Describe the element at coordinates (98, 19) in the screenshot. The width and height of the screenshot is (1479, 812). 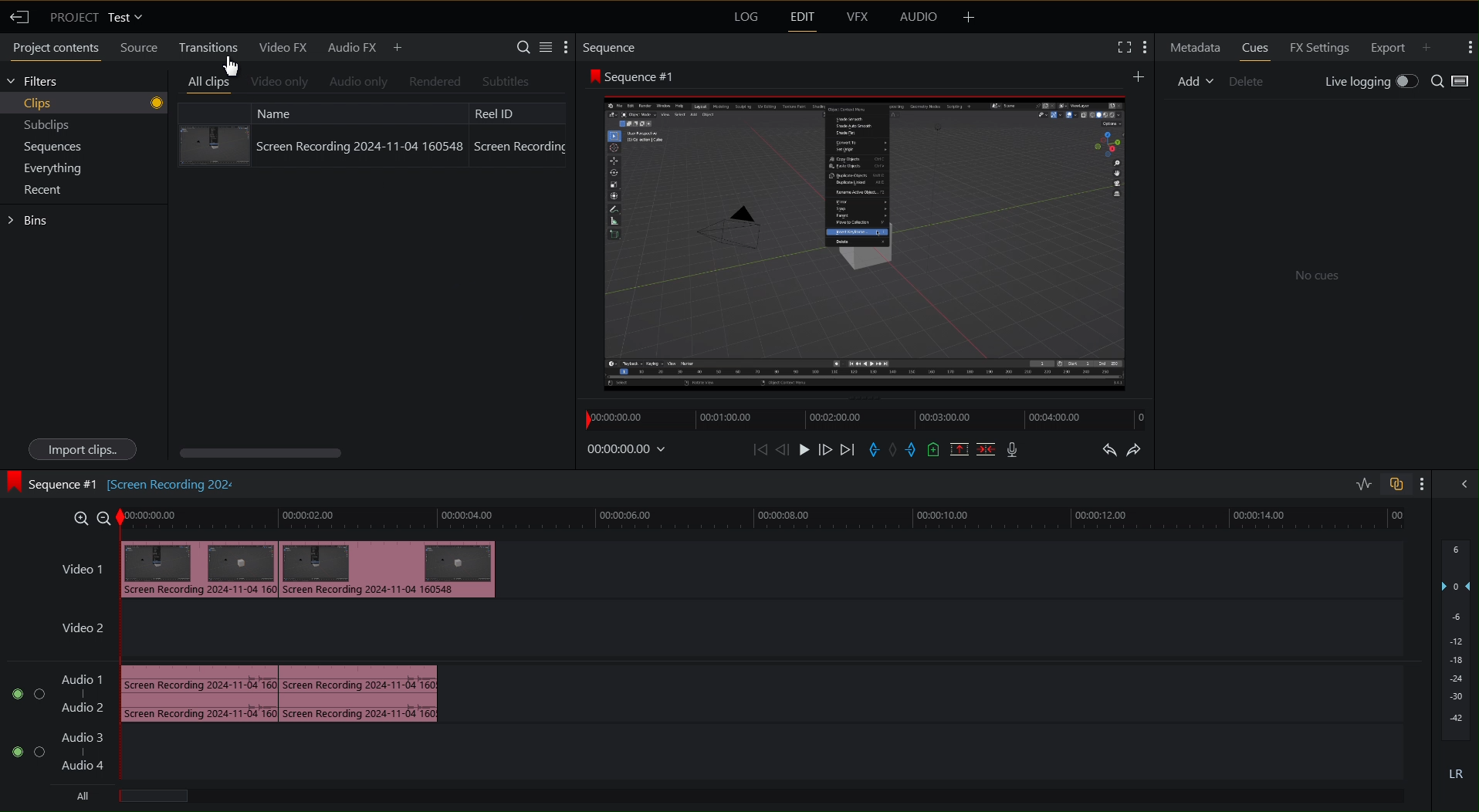
I see `Project Test` at that location.